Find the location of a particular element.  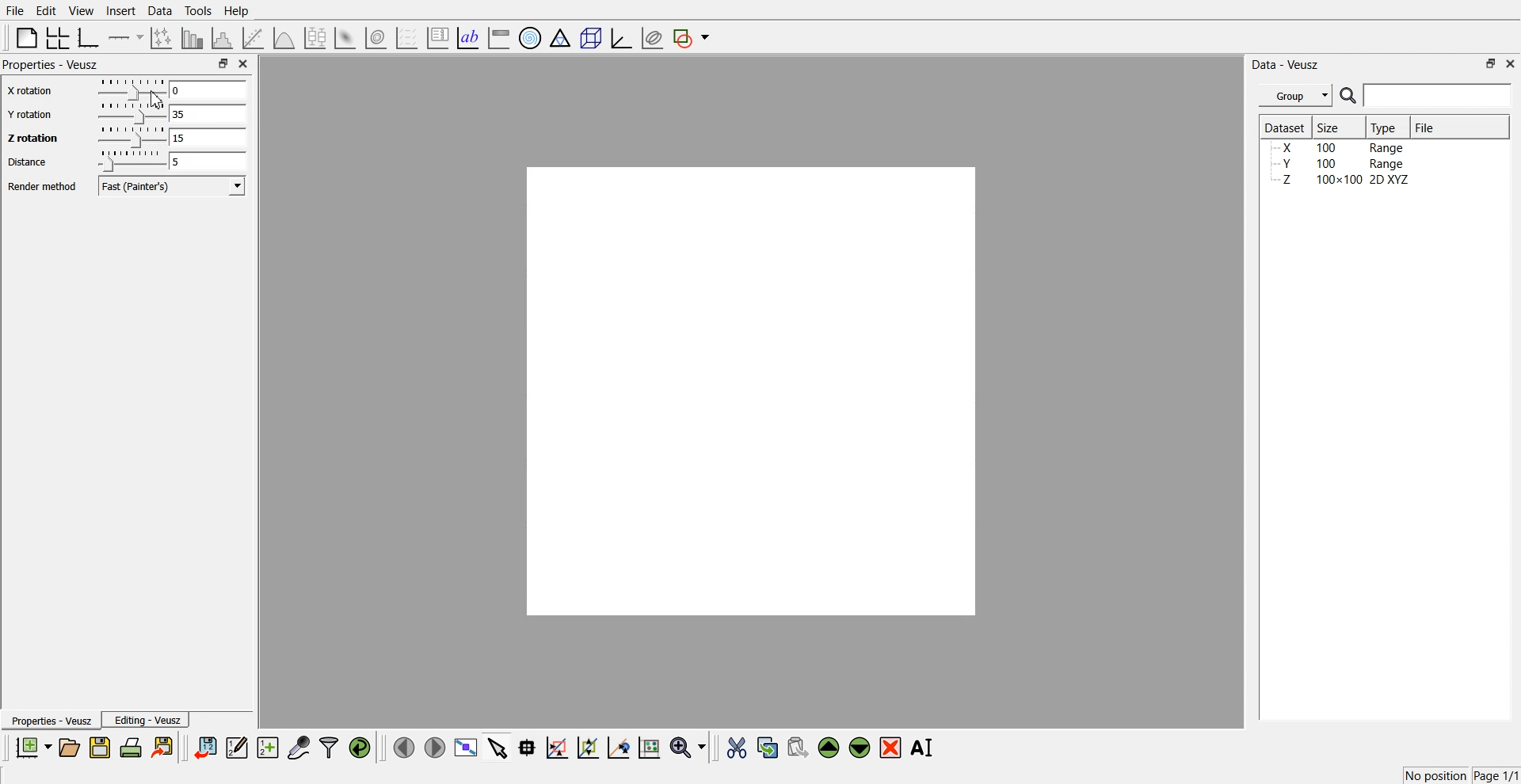

Create new dataset for ranging is located at coordinates (267, 748).